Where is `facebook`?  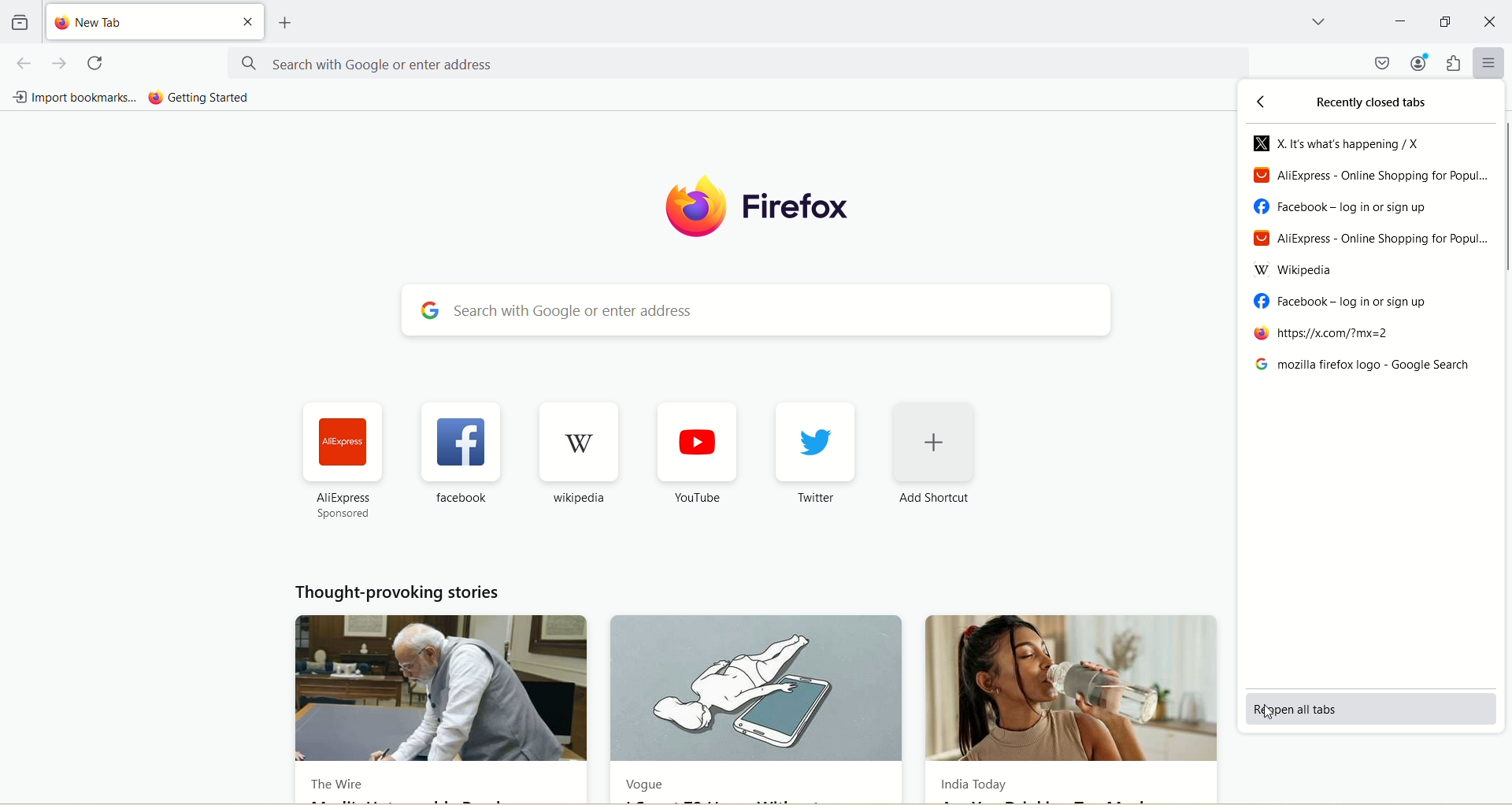
facebook is located at coordinates (1377, 306).